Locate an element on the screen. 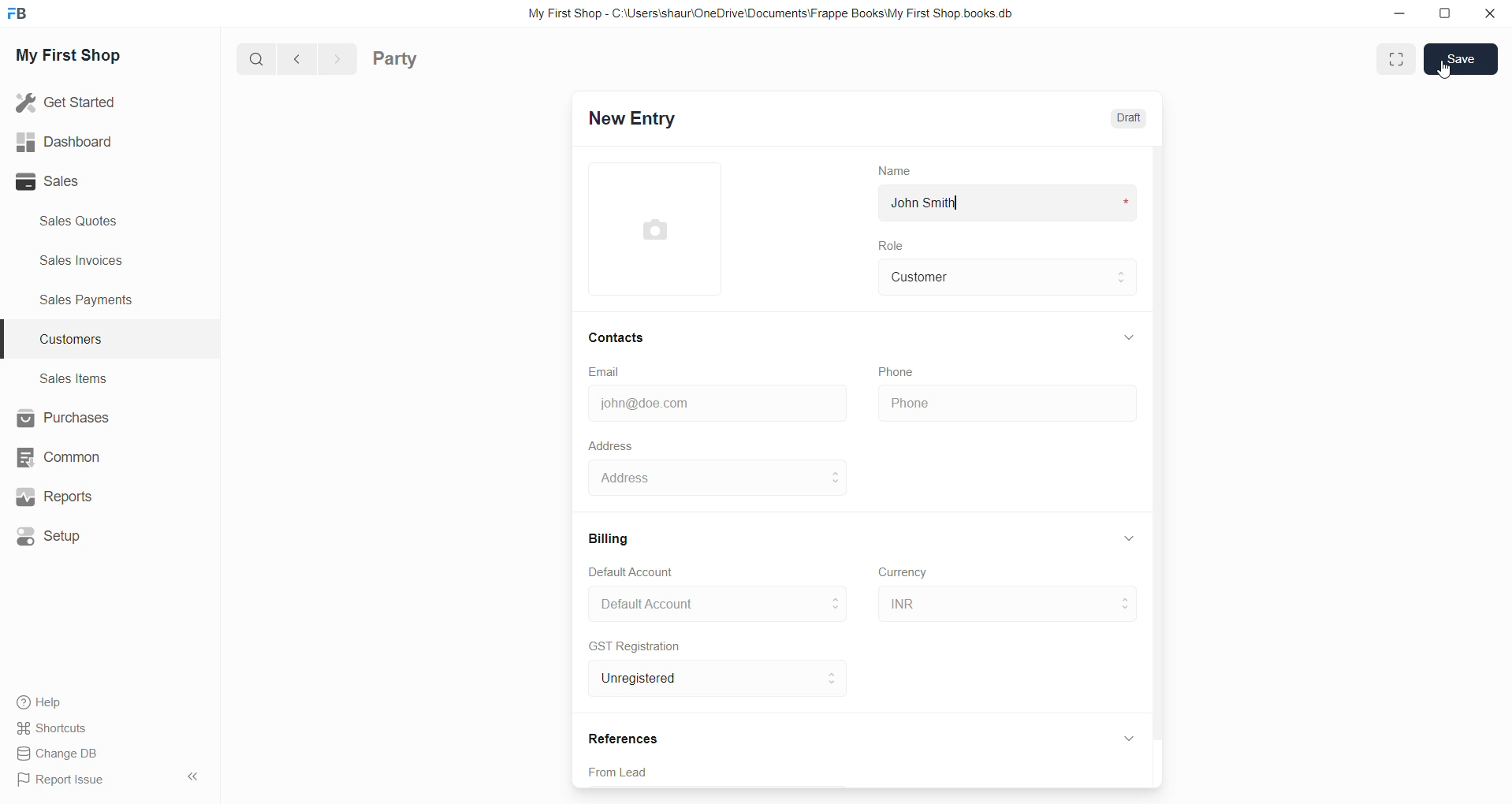  hide references is located at coordinates (1130, 737).